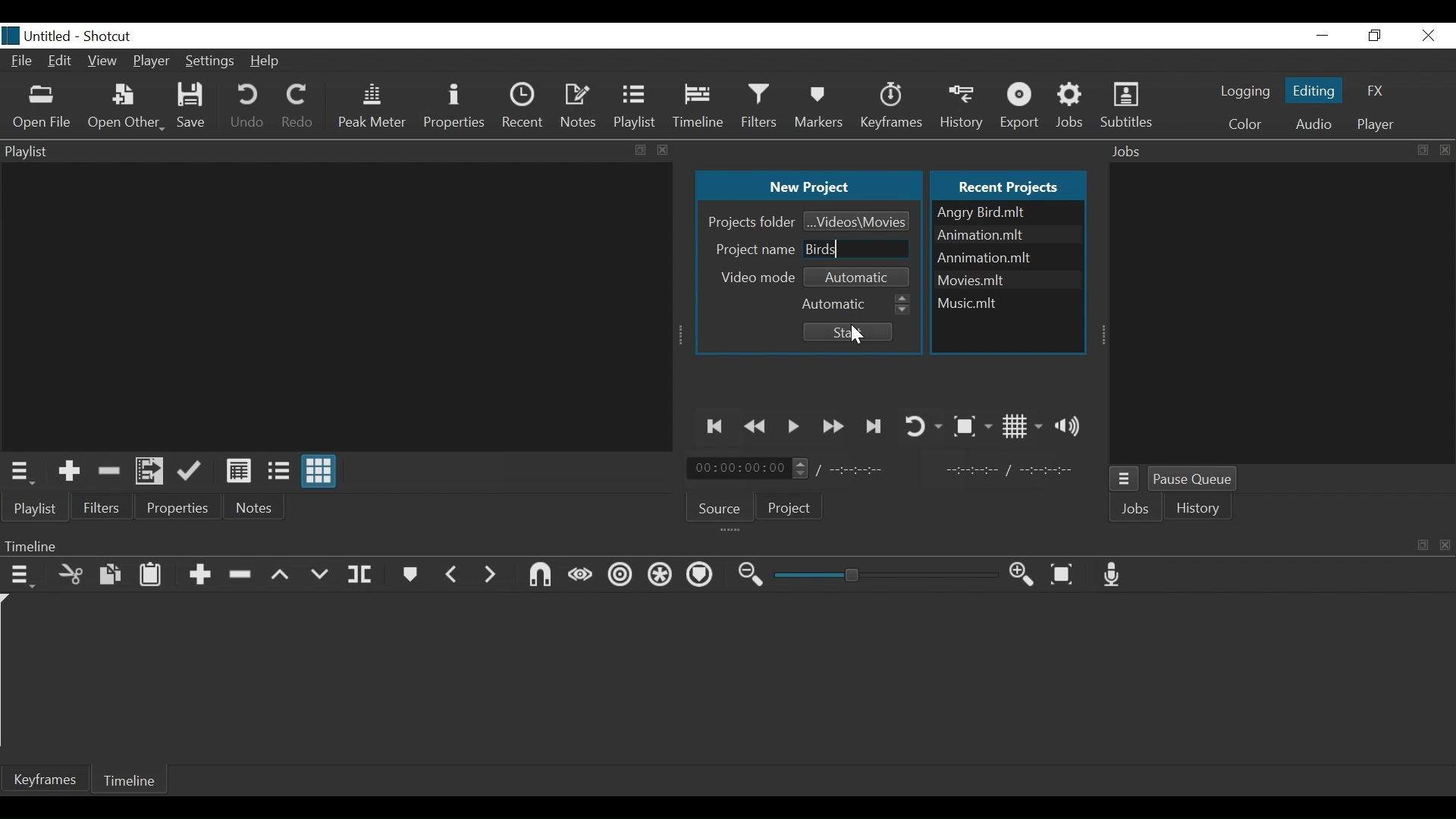  I want to click on Split at playhead, so click(360, 575).